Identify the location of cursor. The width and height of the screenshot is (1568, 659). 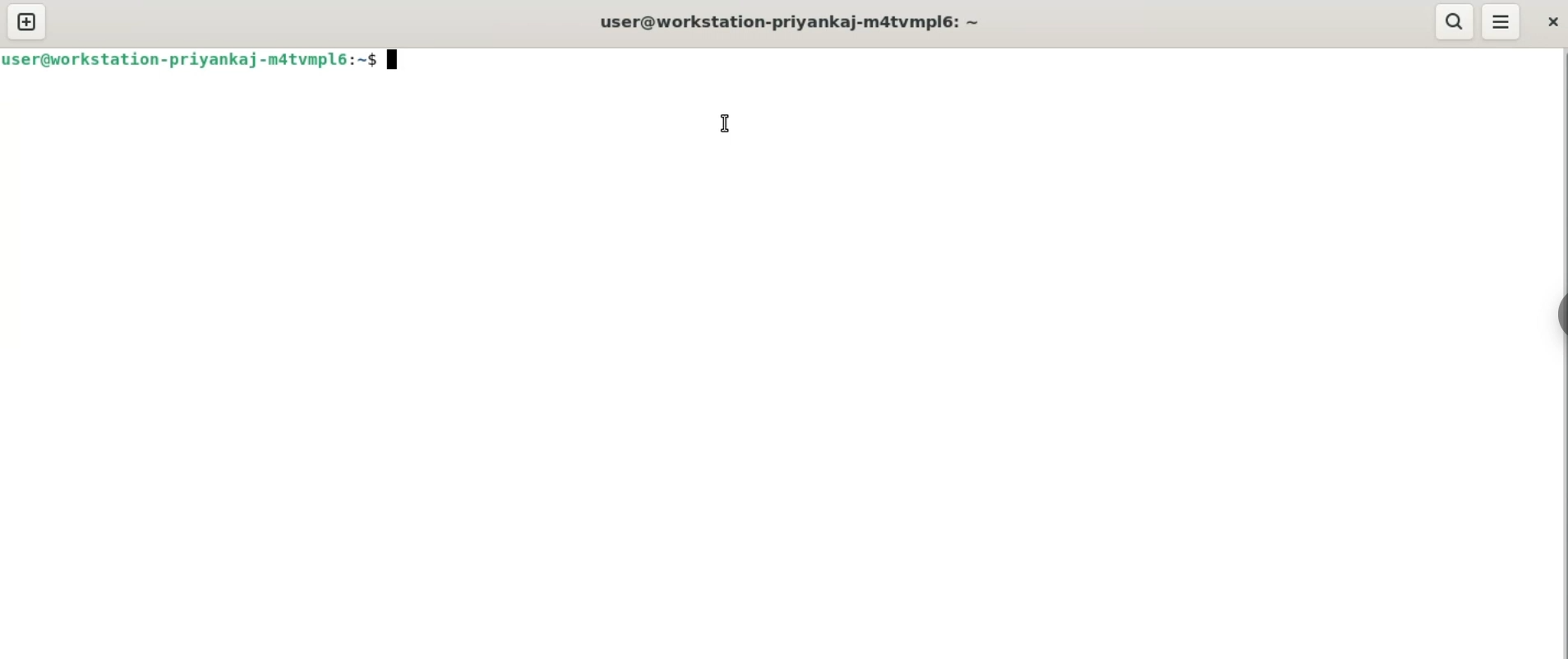
(725, 122).